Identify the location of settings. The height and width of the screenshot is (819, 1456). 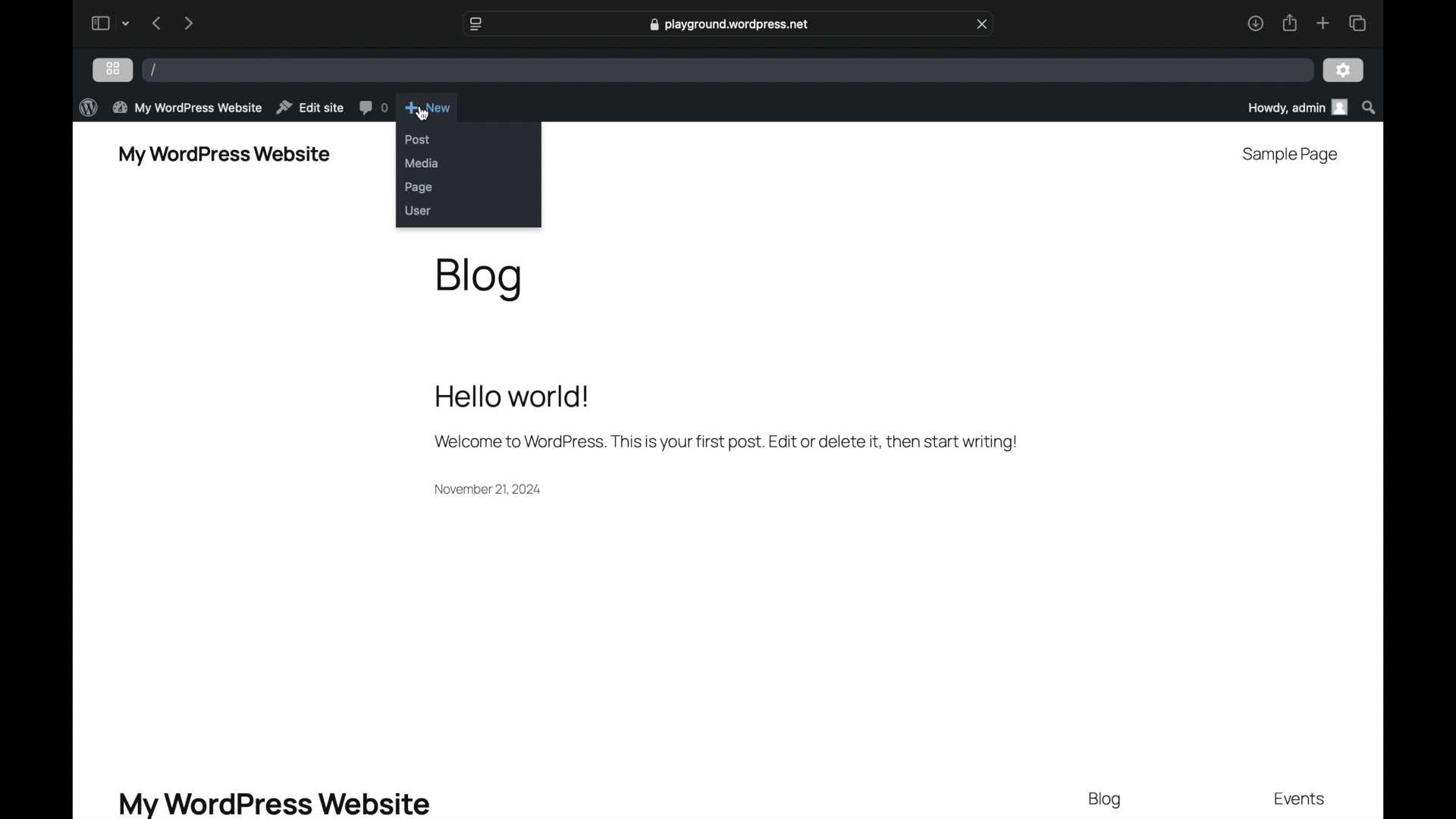
(1343, 69).